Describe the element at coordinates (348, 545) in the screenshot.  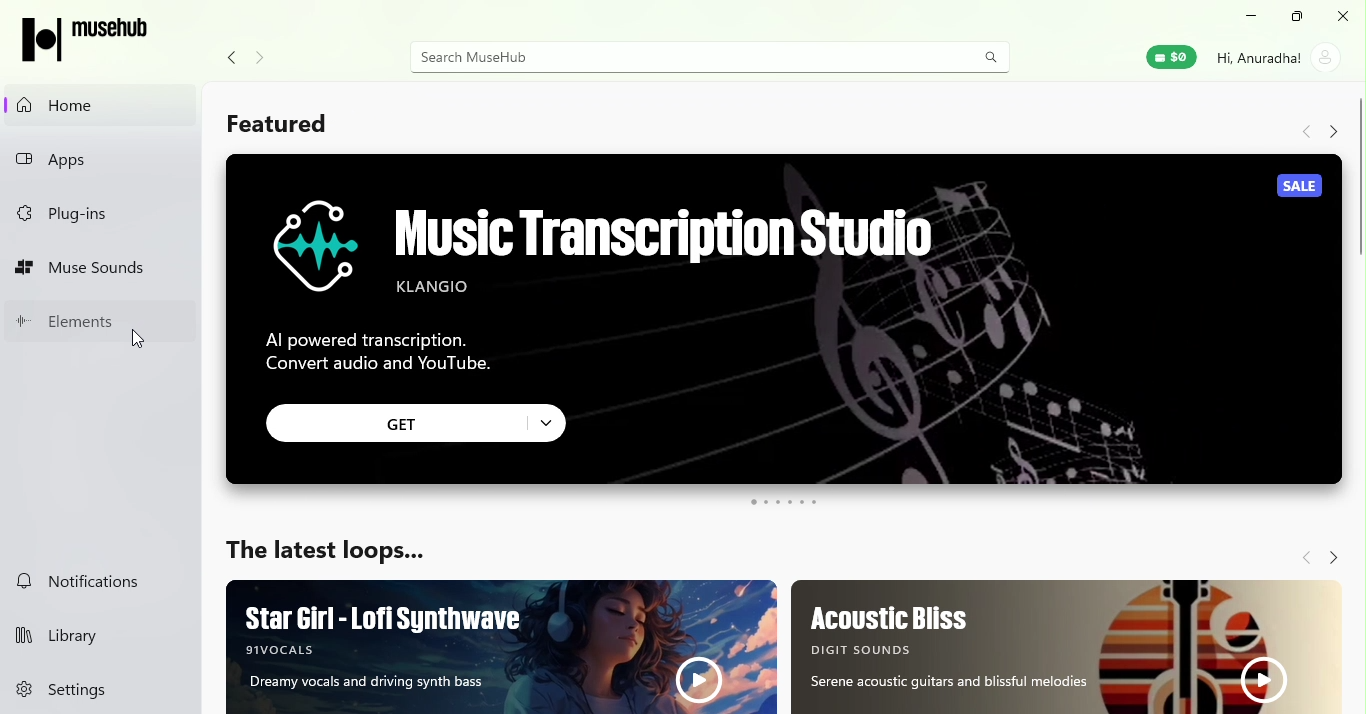
I see `The latest loops` at that location.